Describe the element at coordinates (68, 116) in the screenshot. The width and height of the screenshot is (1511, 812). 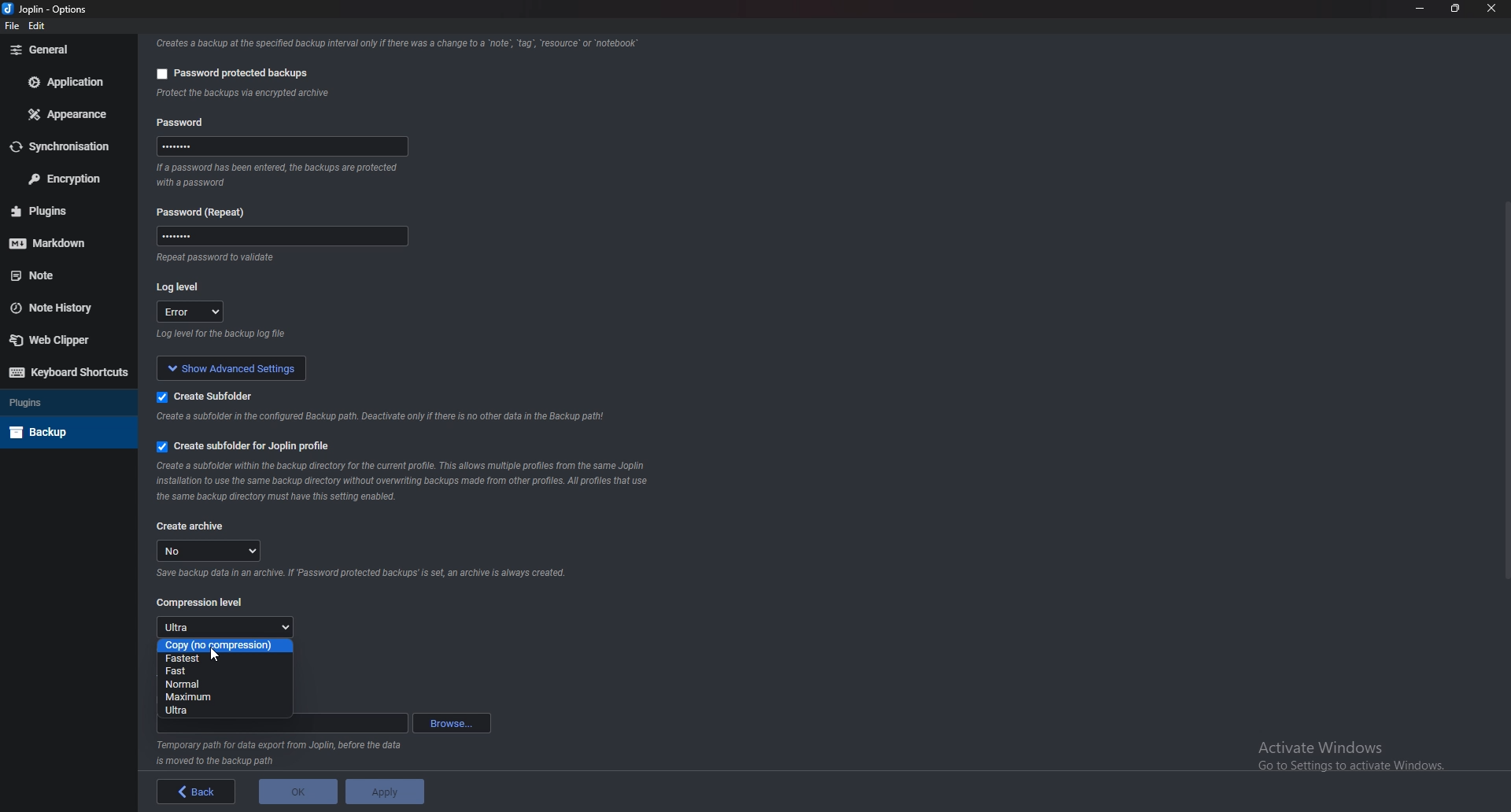
I see `Appearance` at that location.